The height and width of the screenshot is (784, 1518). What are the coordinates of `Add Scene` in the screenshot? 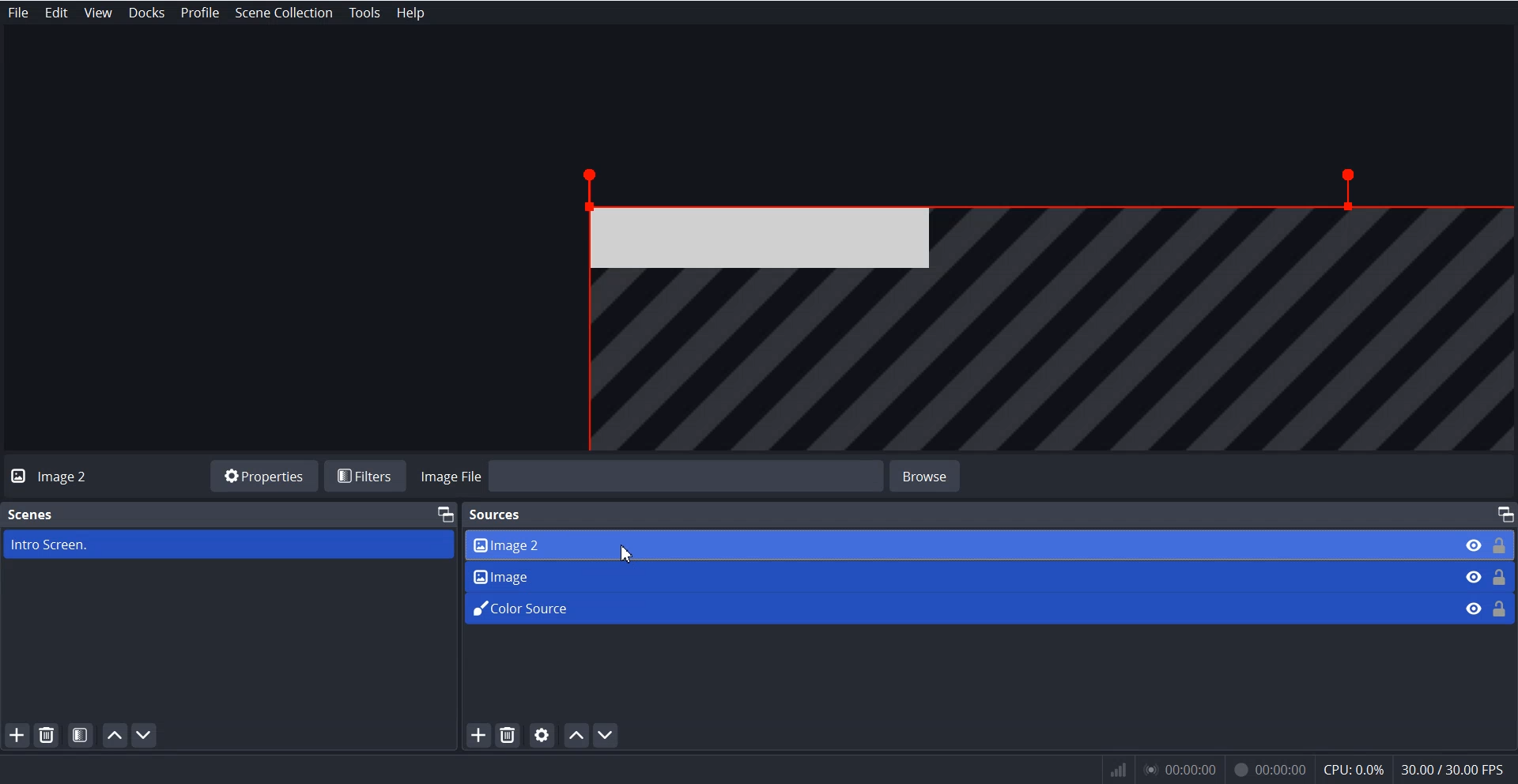 It's located at (17, 735).